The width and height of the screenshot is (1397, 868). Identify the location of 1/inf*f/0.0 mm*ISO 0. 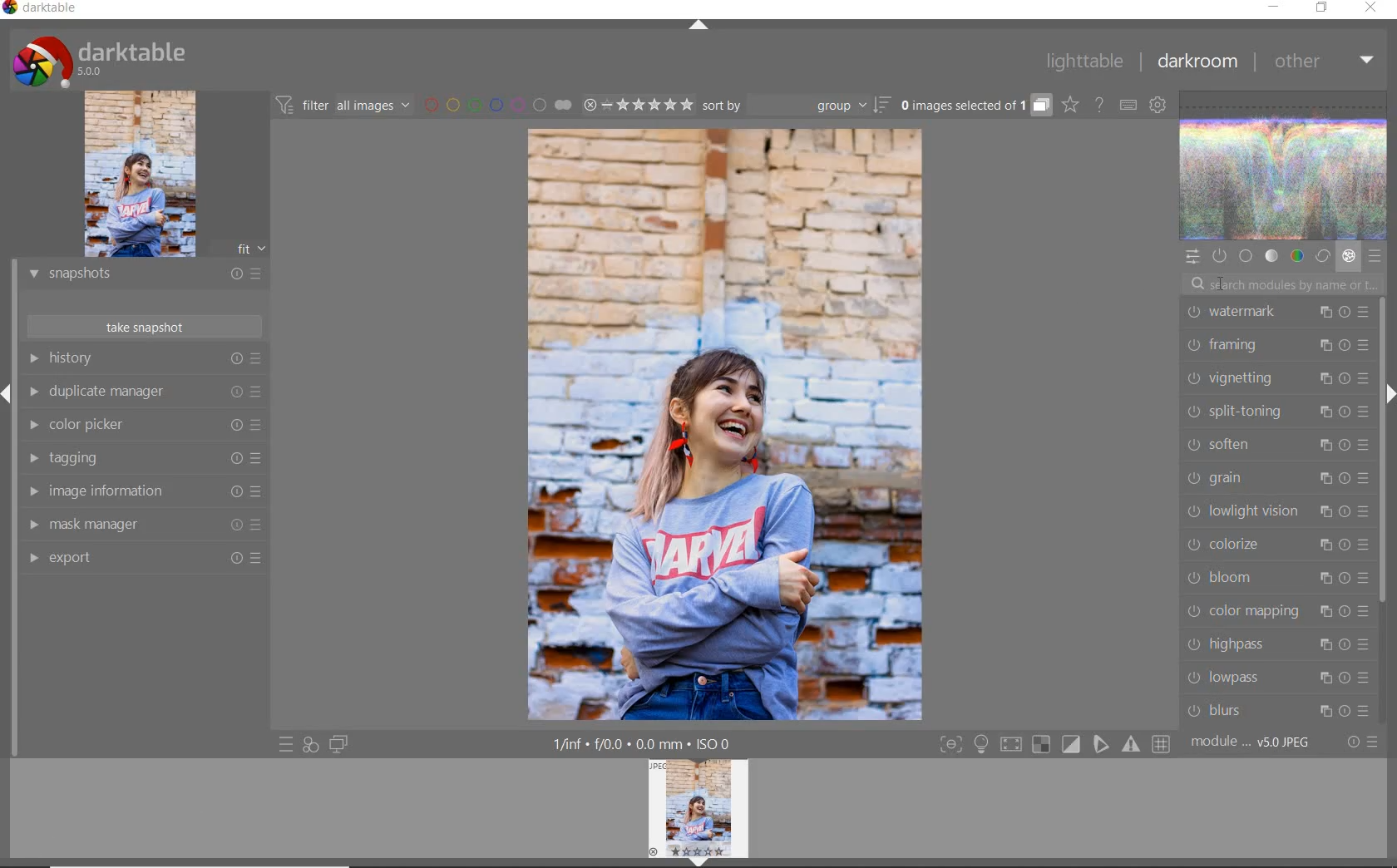
(646, 744).